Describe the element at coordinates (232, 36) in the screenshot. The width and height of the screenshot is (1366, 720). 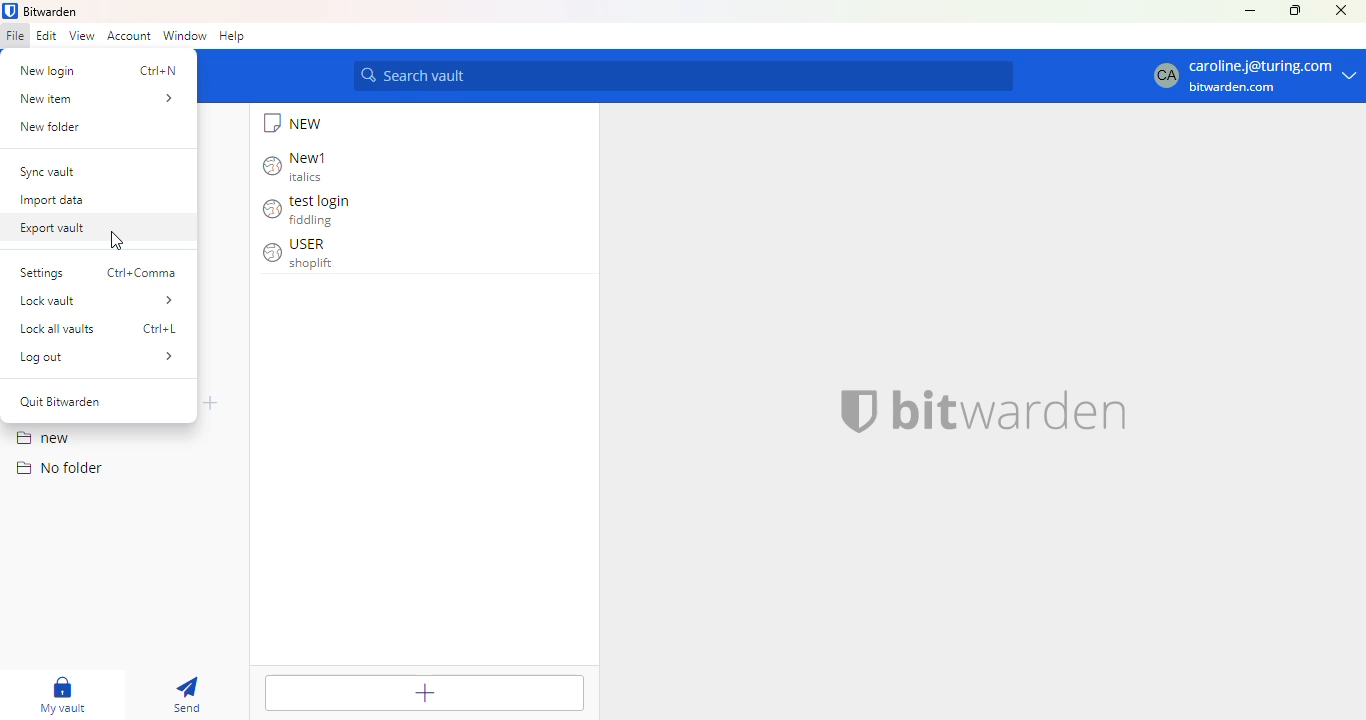
I see `help` at that location.